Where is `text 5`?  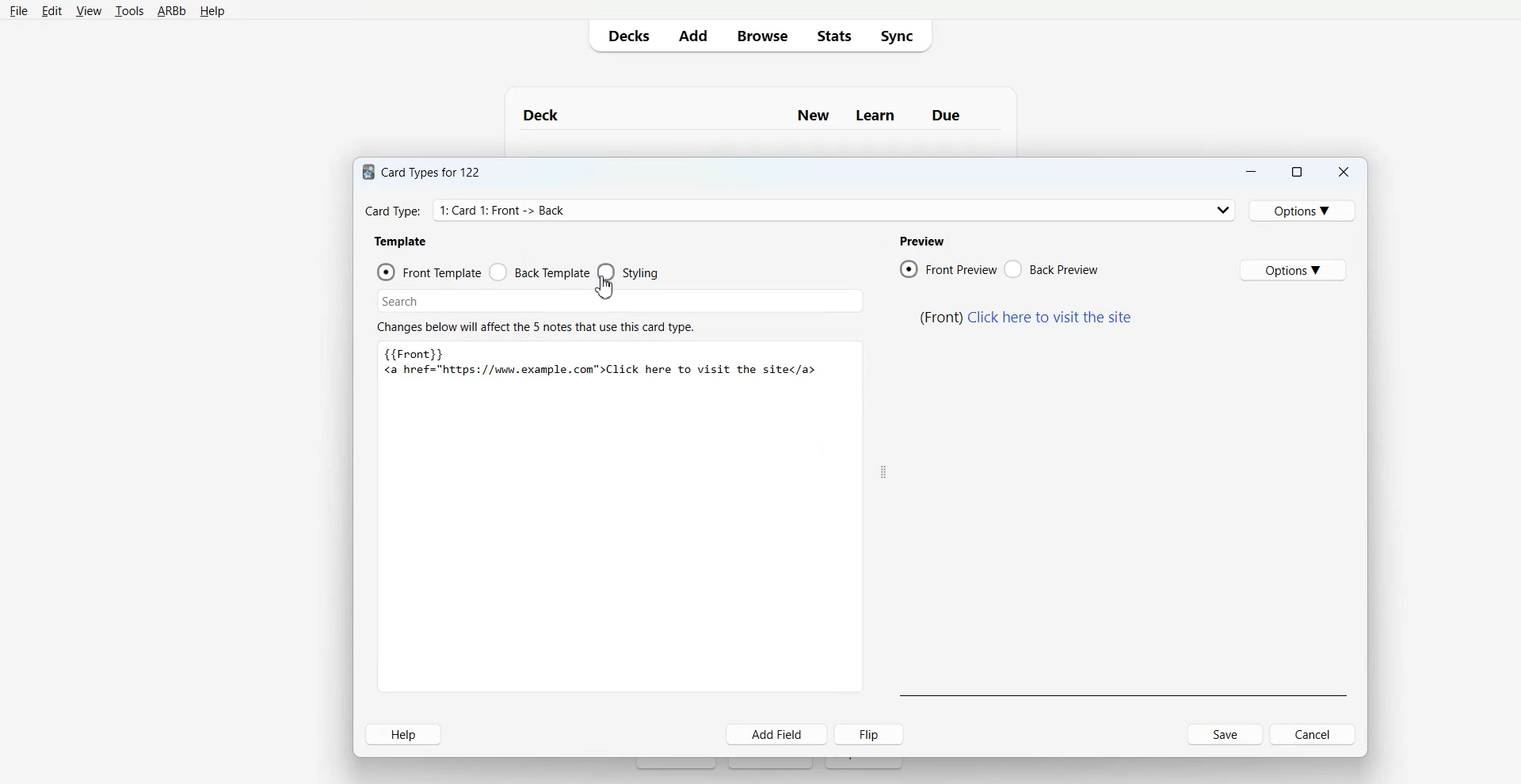
text 5 is located at coordinates (1027, 317).